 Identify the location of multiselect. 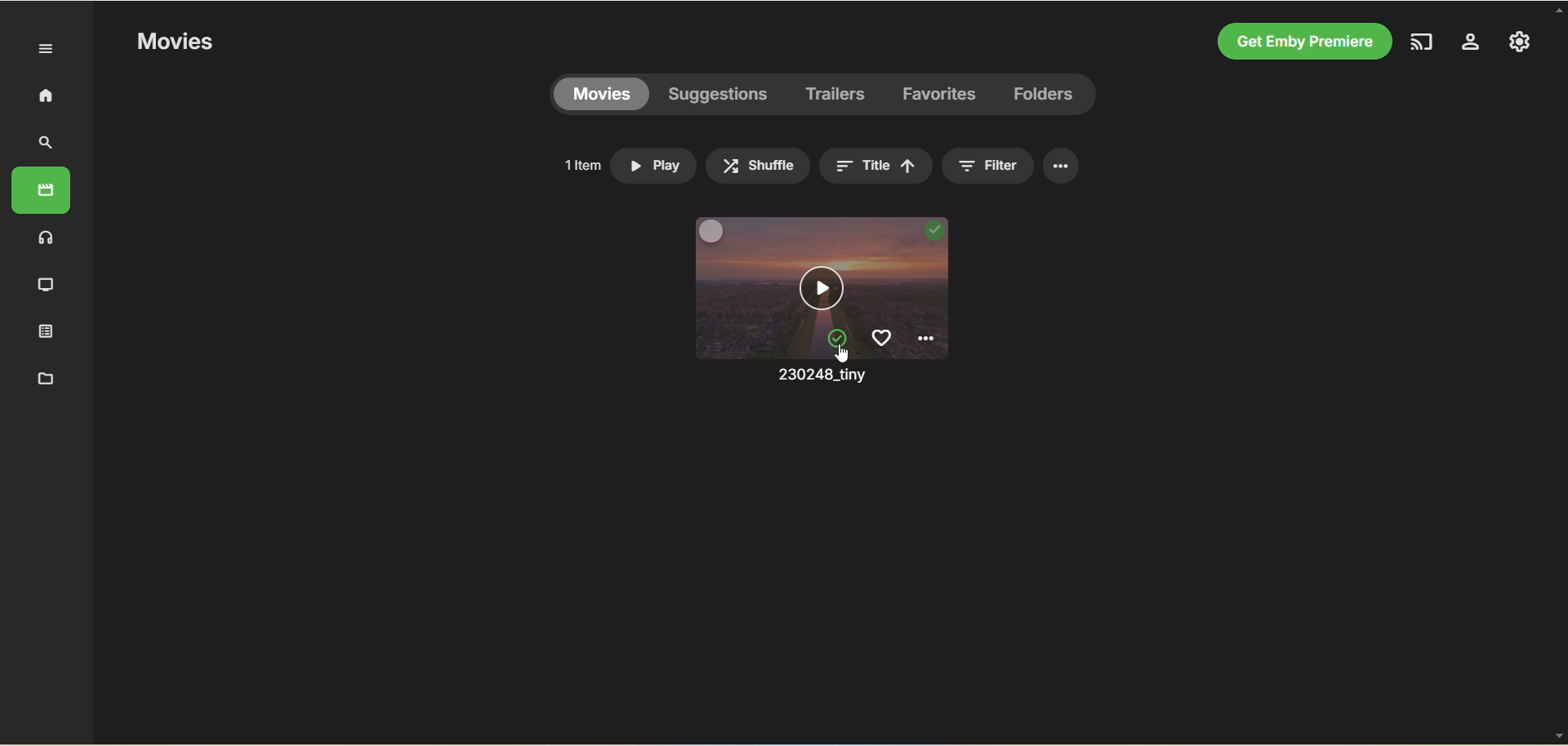
(711, 233).